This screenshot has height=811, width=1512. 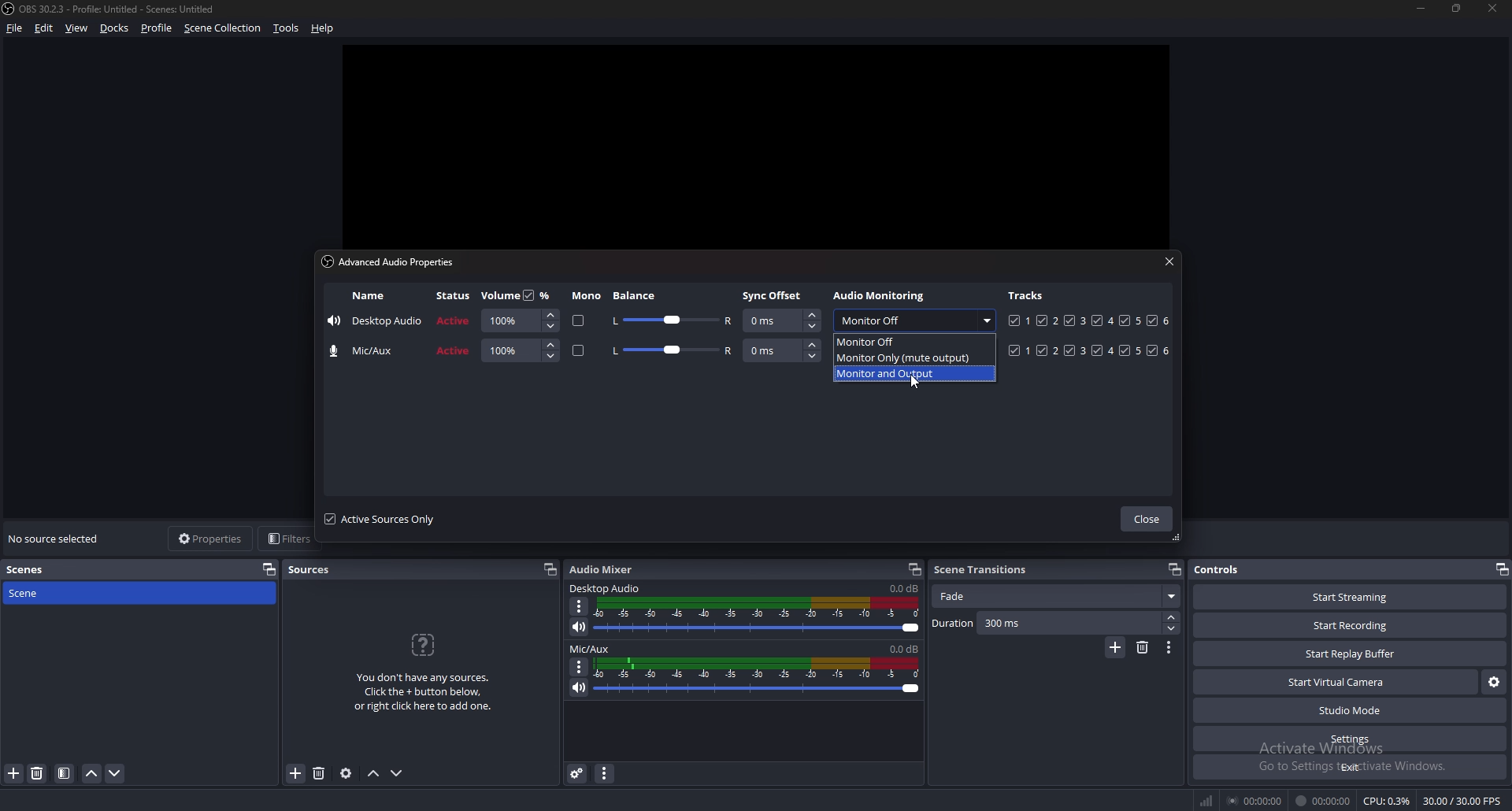 I want to click on sources, so click(x=312, y=569).